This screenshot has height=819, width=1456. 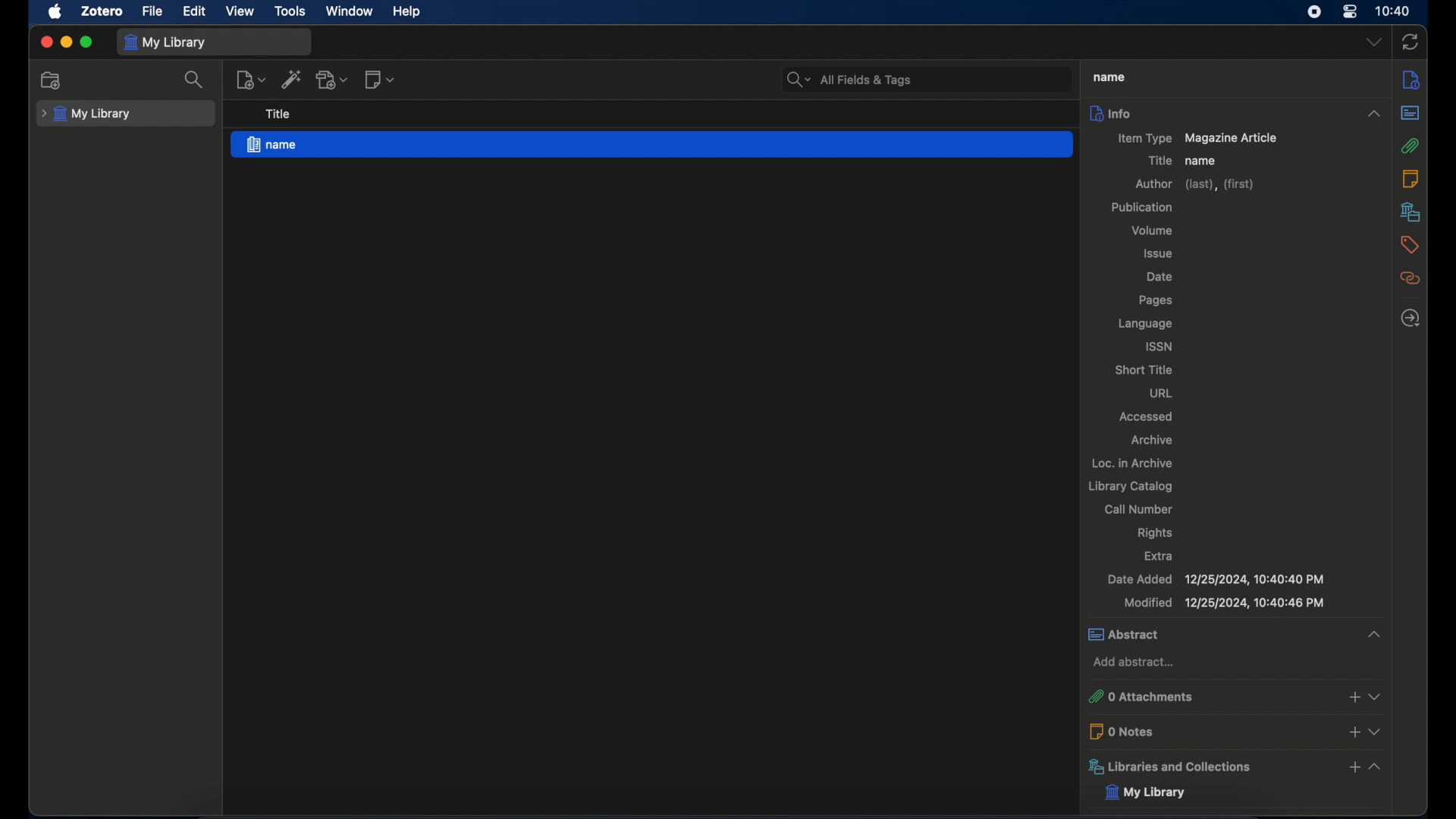 What do you see at coordinates (1235, 112) in the screenshot?
I see `info` at bounding box center [1235, 112].